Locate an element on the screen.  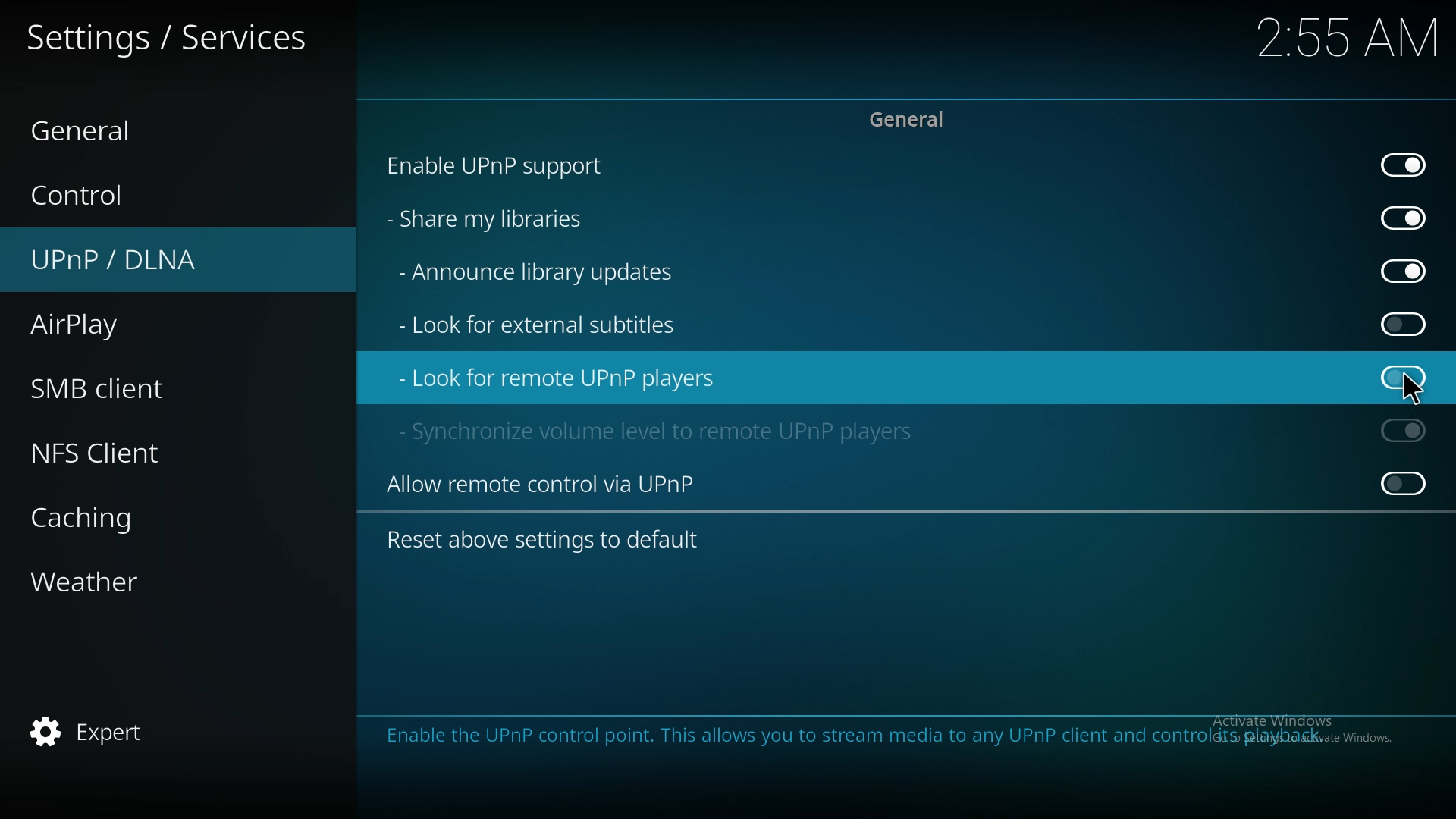
enable upnp support is located at coordinates (510, 165).